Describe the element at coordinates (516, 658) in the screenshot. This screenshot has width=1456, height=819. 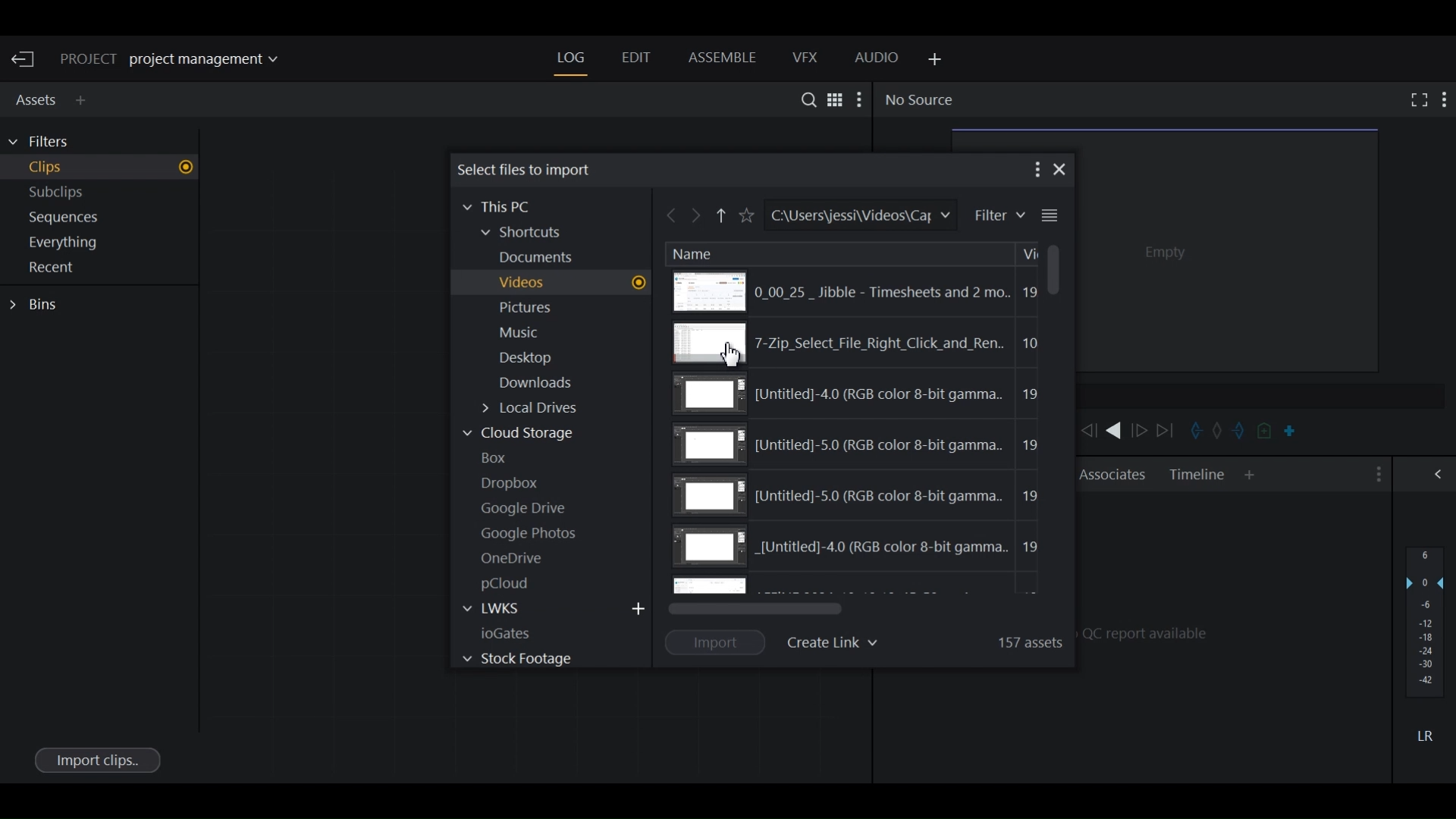
I see `Stock Footage` at that location.